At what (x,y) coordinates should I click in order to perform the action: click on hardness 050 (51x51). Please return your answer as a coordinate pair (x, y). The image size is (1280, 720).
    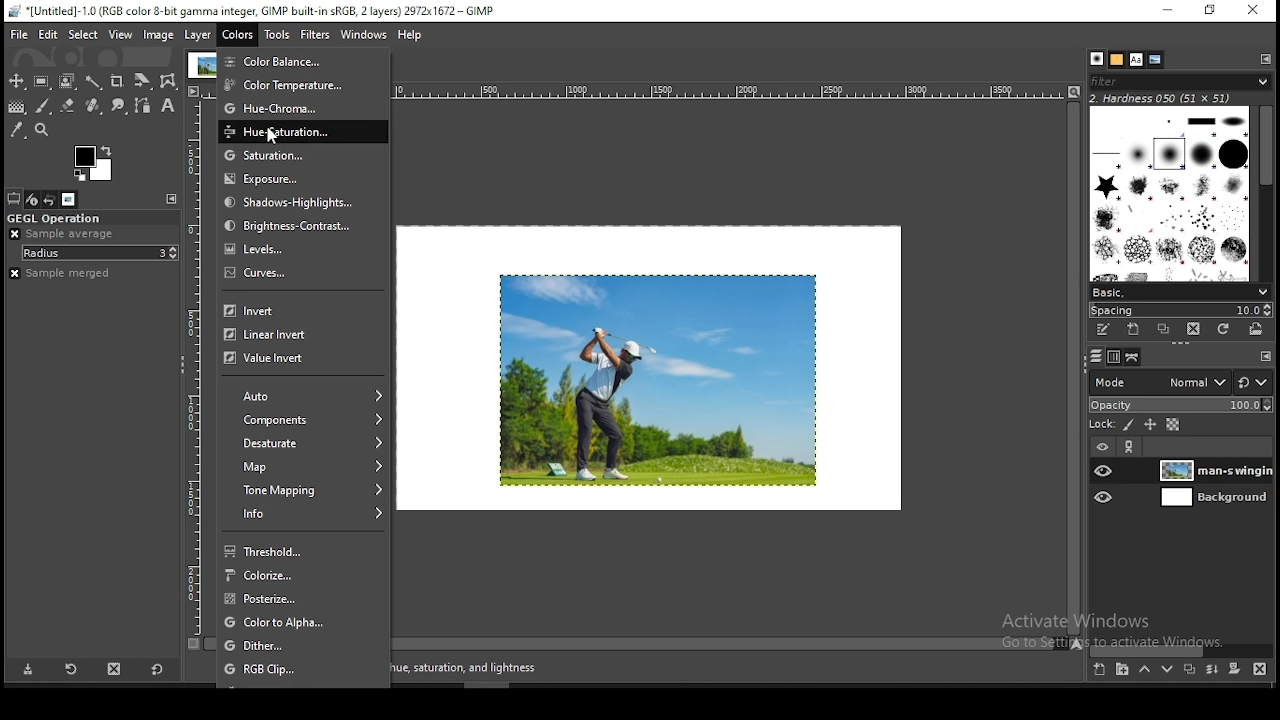
    Looking at the image, I should click on (1182, 99).